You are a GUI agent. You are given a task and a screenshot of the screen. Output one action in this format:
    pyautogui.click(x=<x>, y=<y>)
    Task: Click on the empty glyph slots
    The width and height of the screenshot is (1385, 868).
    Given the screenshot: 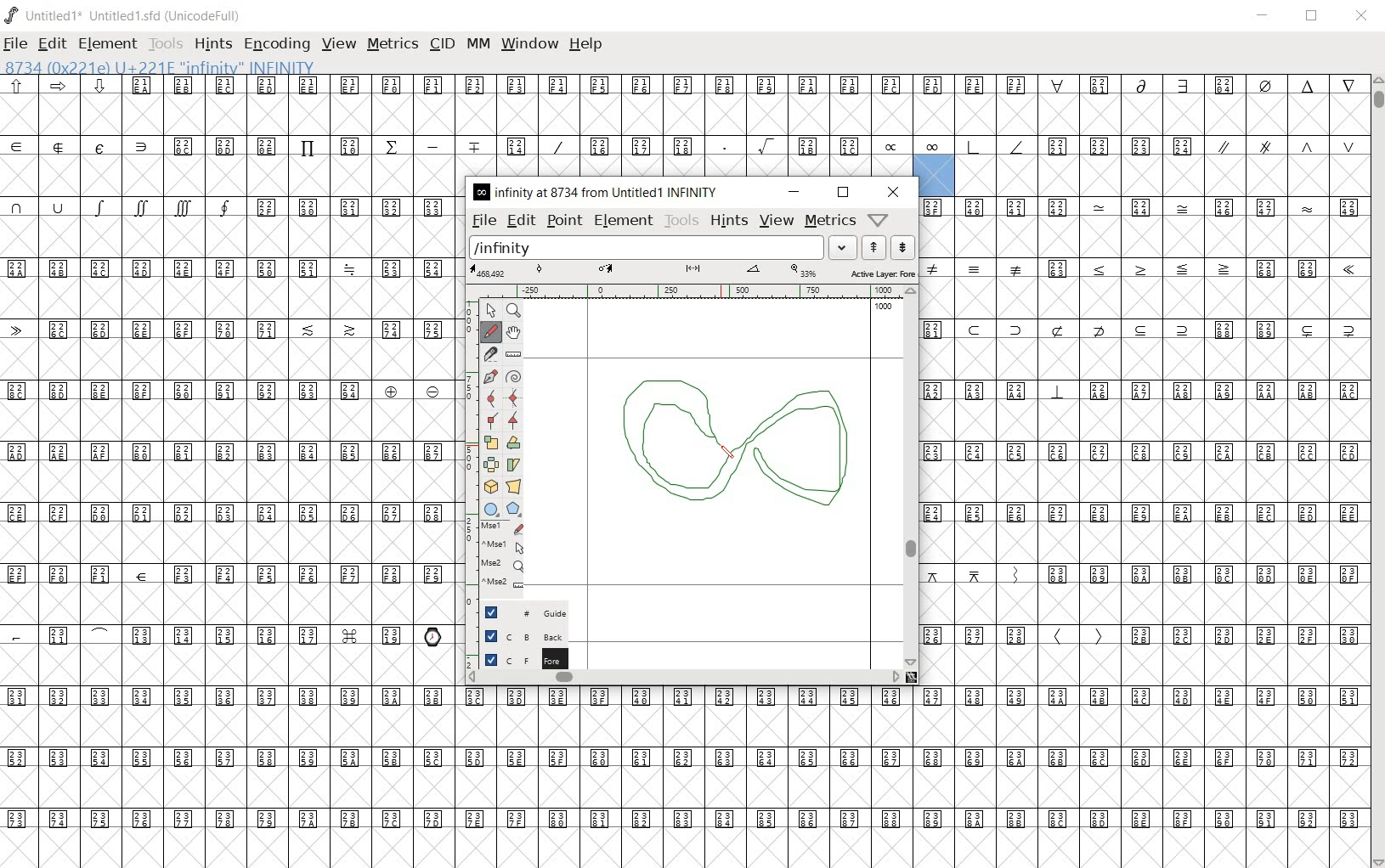 What is the action you would take?
    pyautogui.click(x=231, y=421)
    